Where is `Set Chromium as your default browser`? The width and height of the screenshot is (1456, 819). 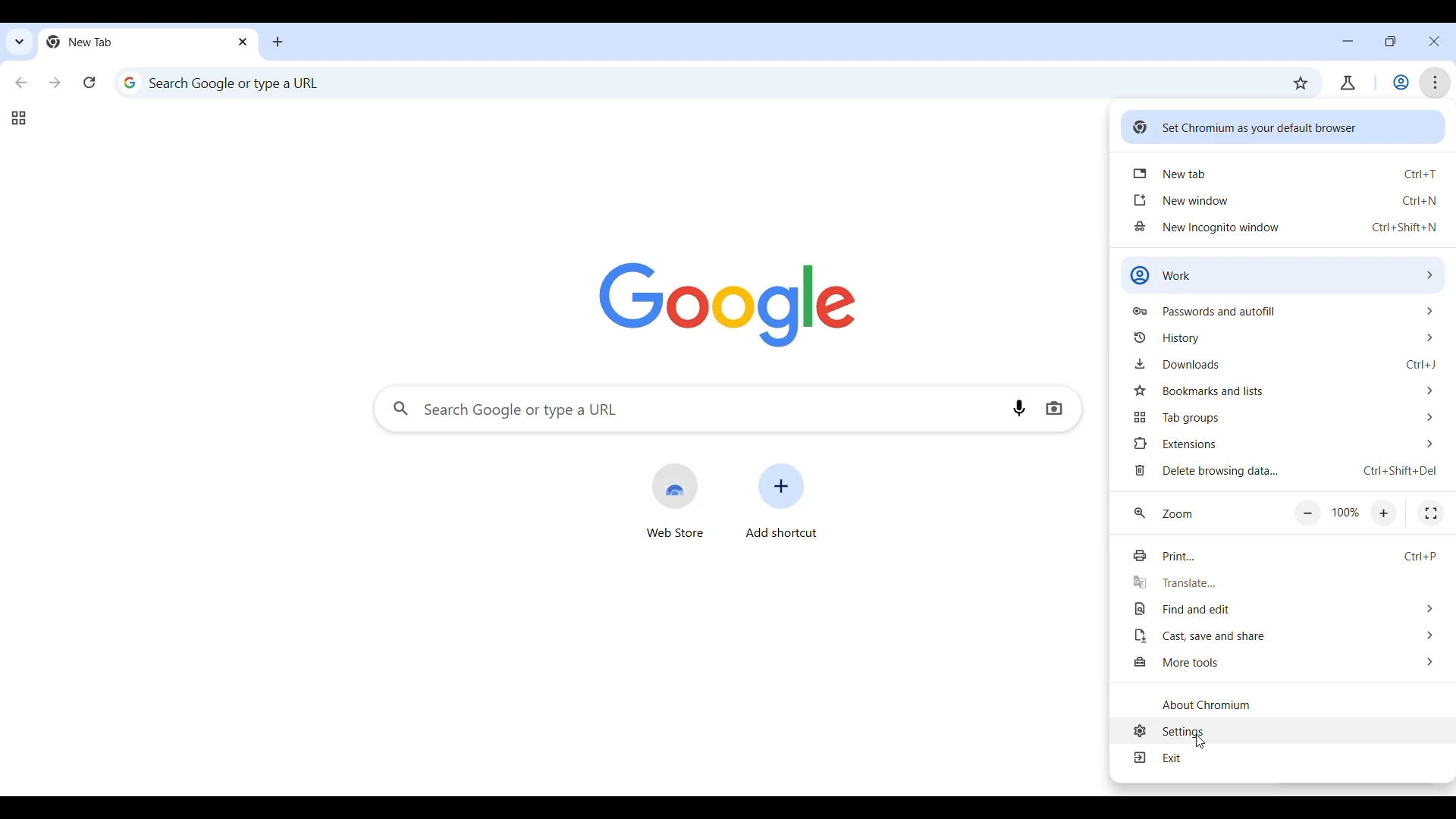 Set Chromium as your default browser is located at coordinates (1283, 126).